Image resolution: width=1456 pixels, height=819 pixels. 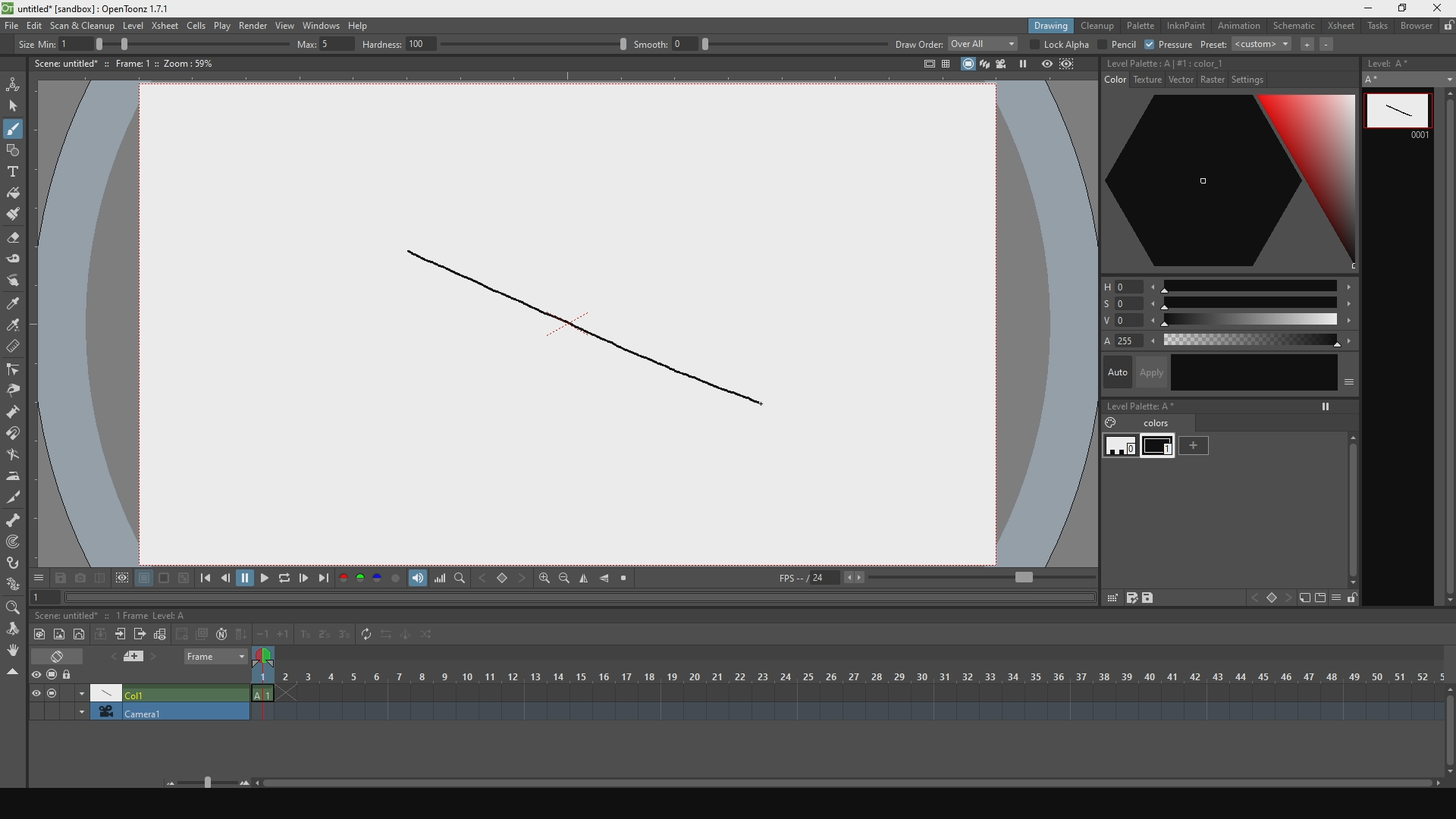 I want to click on palette colors, so click(x=369, y=581).